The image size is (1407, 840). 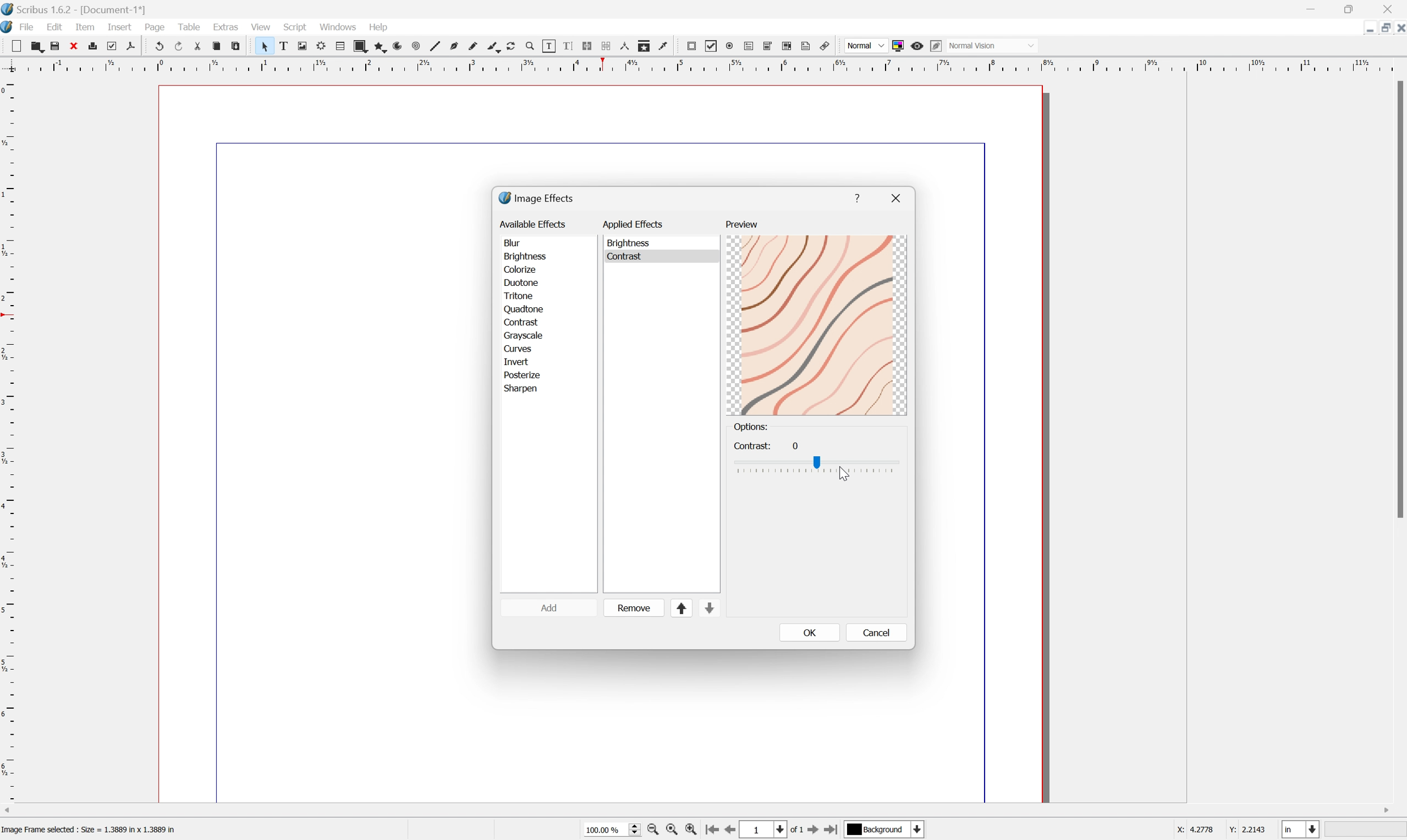 What do you see at coordinates (835, 829) in the screenshot?
I see `Last Page` at bounding box center [835, 829].